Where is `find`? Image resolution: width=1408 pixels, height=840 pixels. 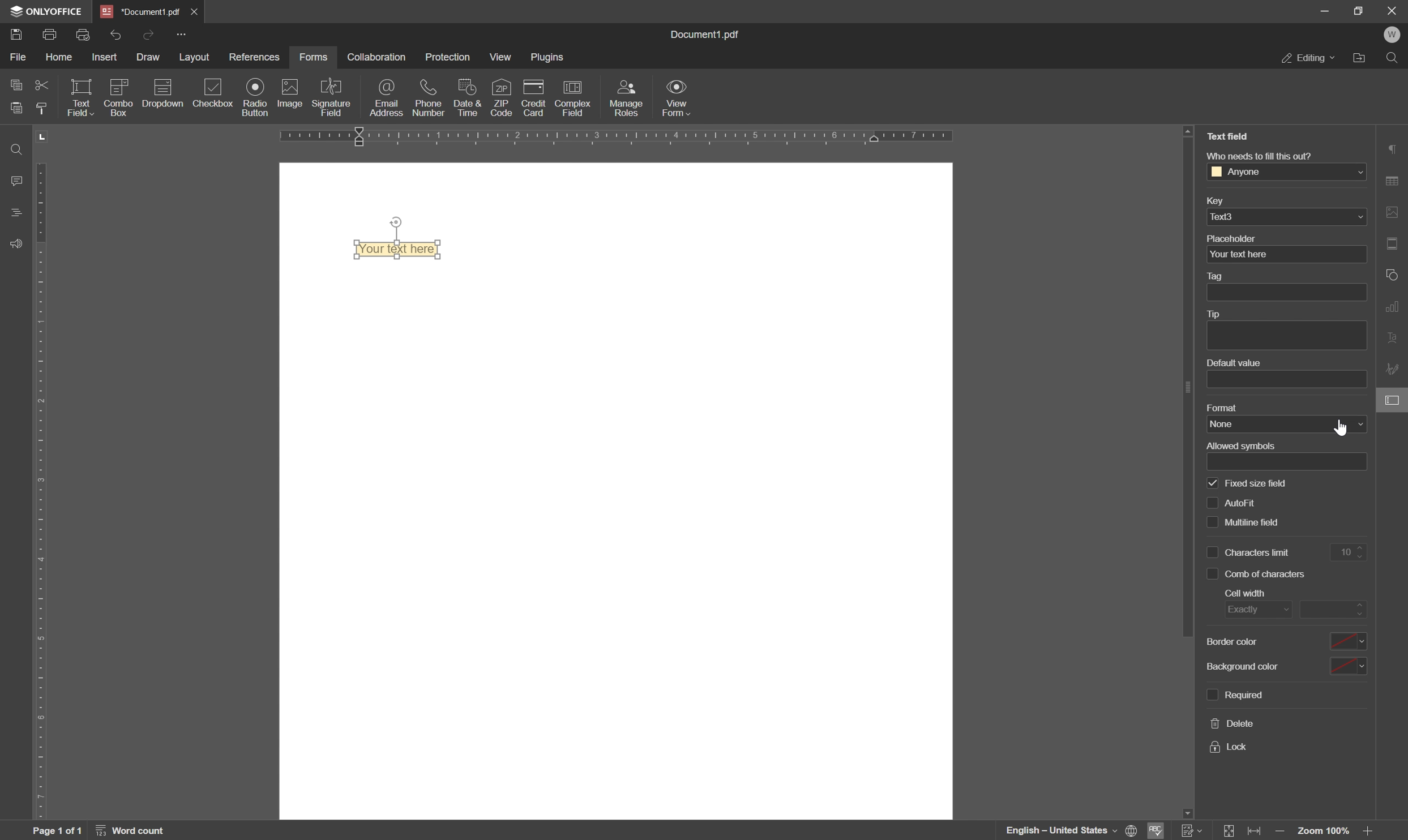
find is located at coordinates (1394, 57).